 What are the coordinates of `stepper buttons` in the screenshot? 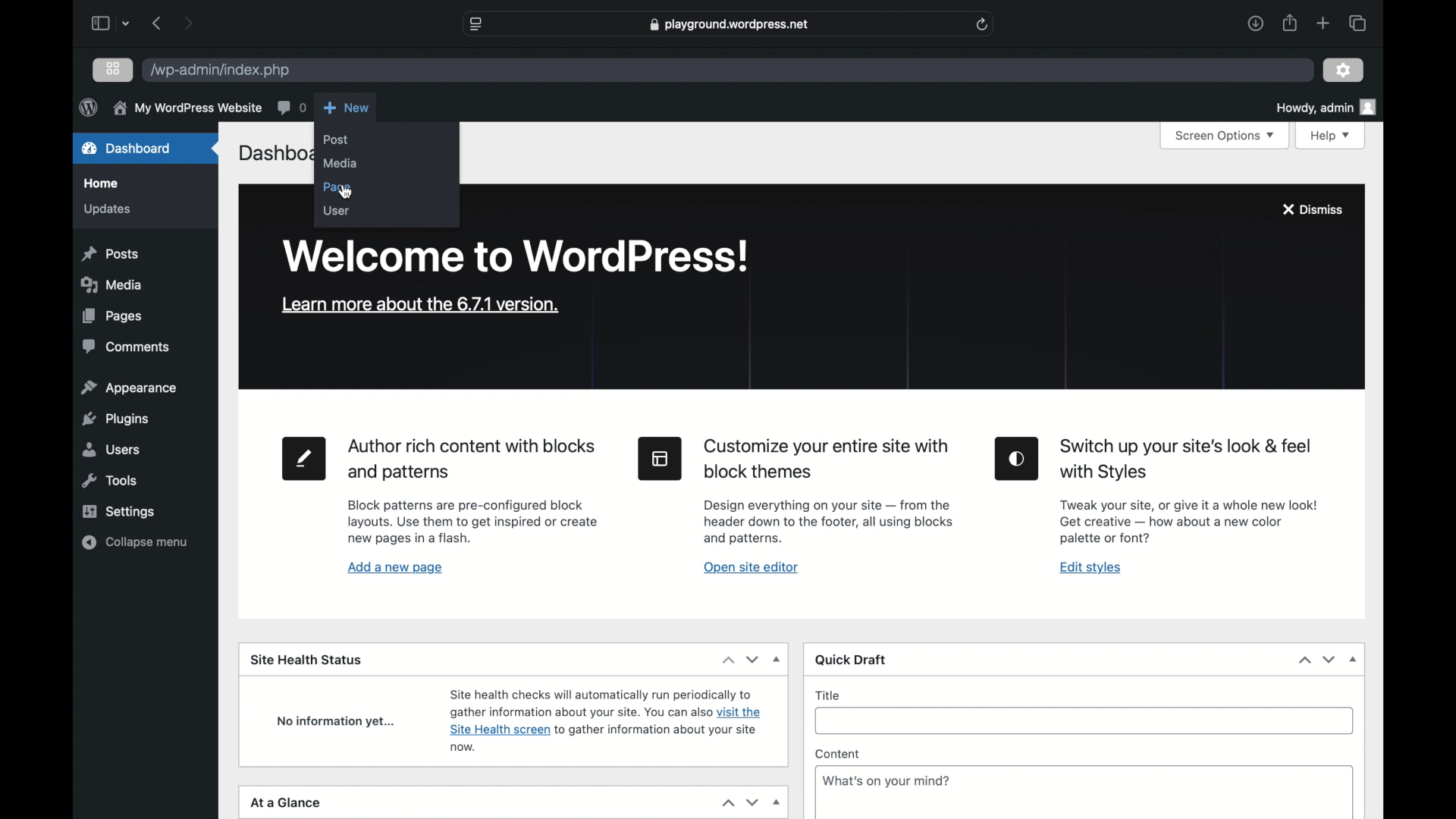 It's located at (1319, 660).